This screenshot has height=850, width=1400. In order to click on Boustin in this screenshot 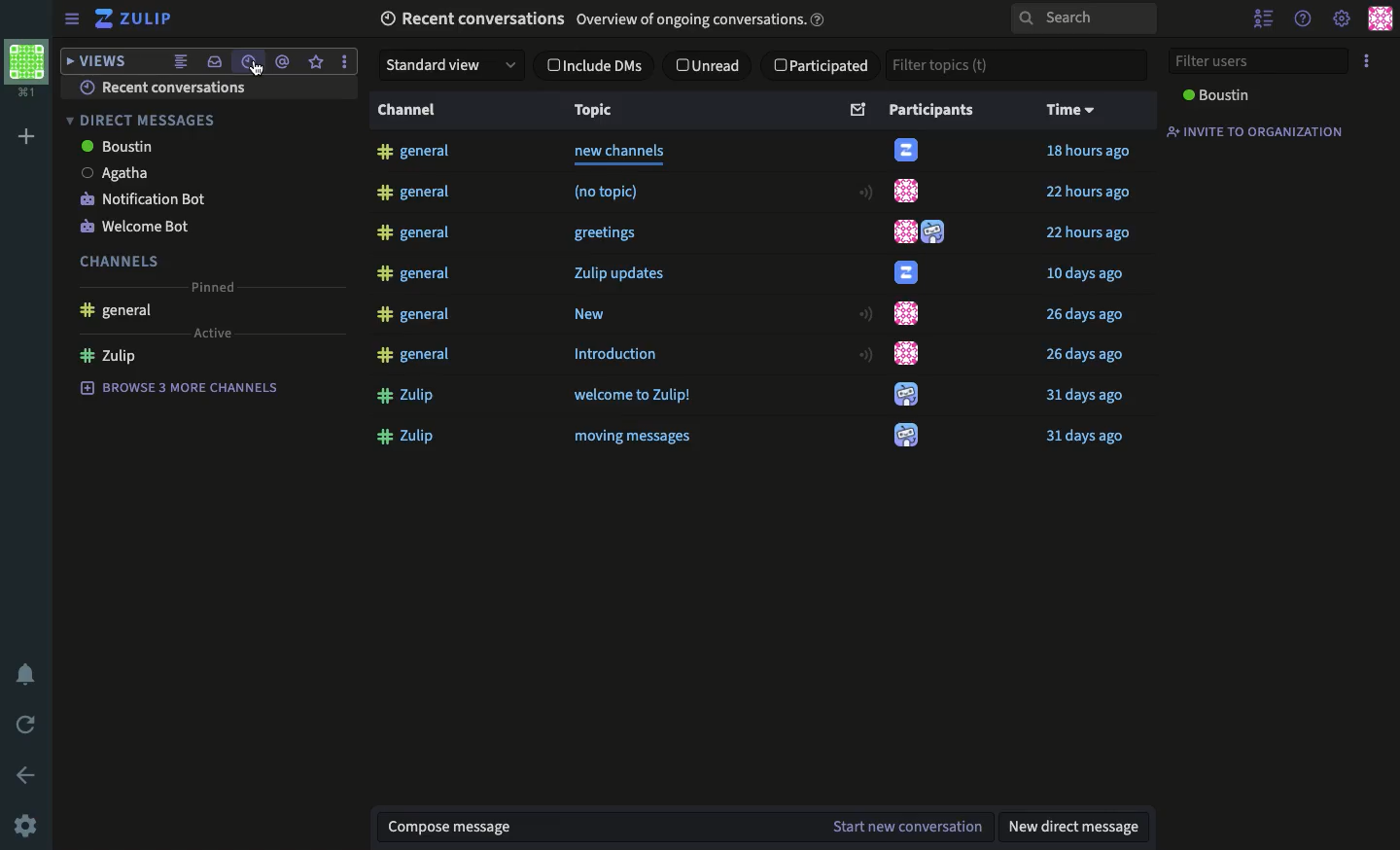, I will do `click(120, 146)`.